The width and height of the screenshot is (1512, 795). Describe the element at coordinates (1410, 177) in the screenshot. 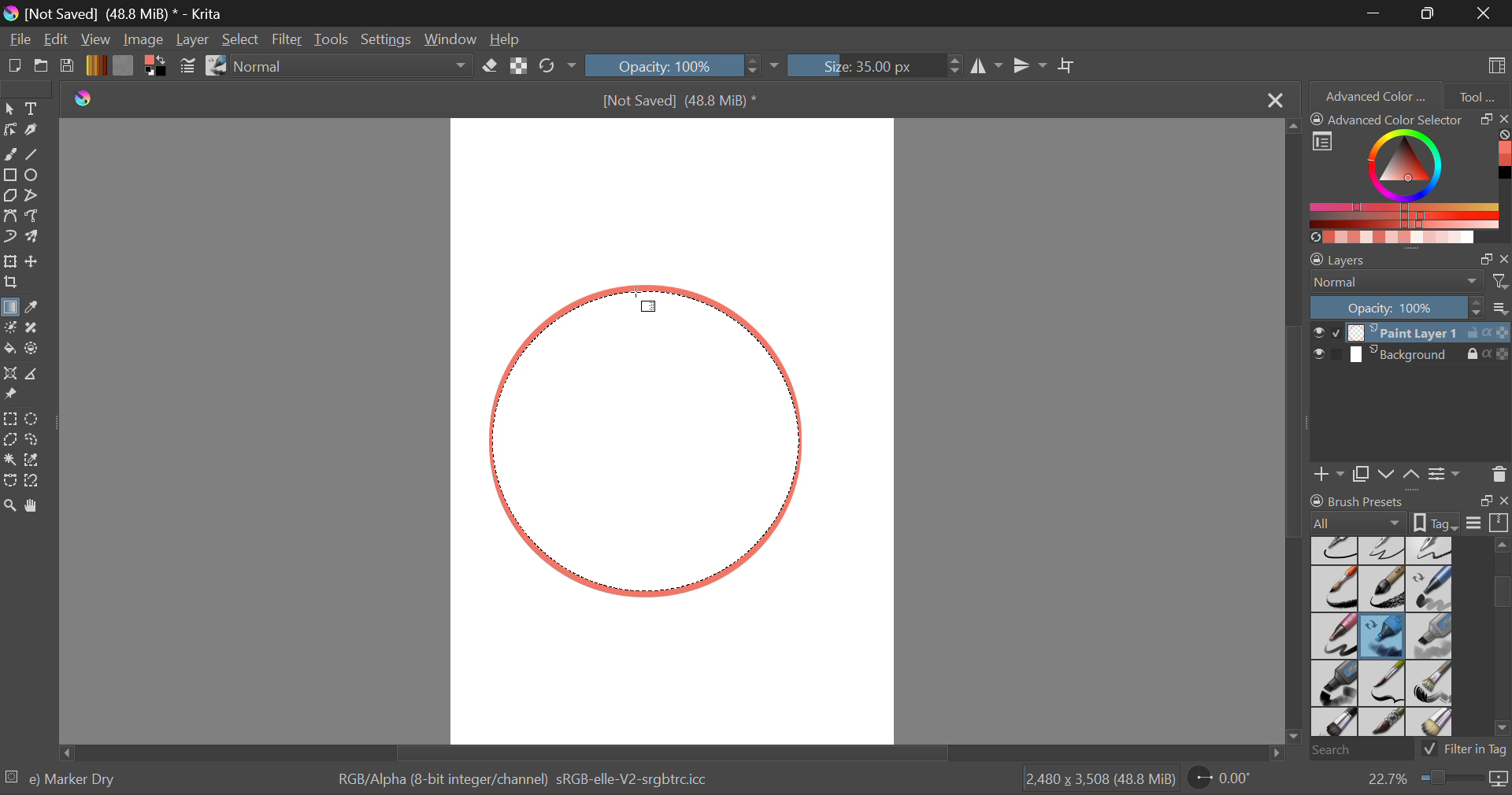

I see `Advanced Color Selector` at that location.